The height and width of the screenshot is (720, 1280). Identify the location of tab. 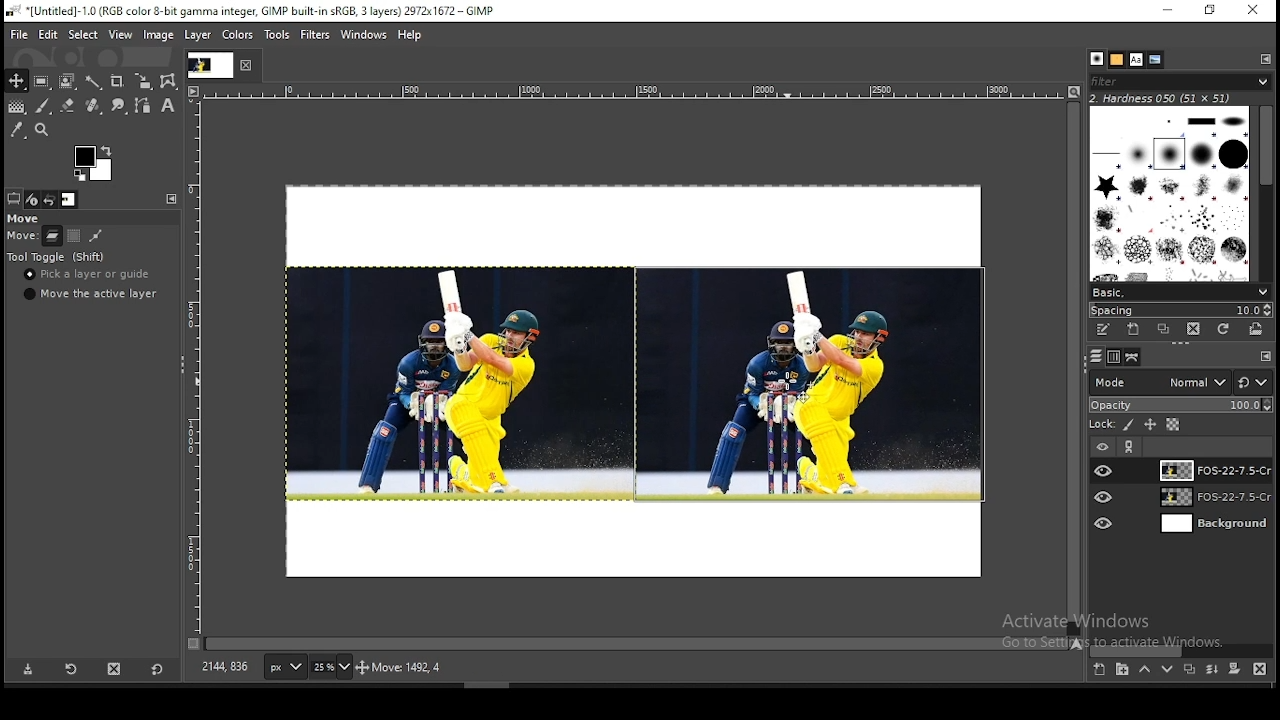
(209, 65).